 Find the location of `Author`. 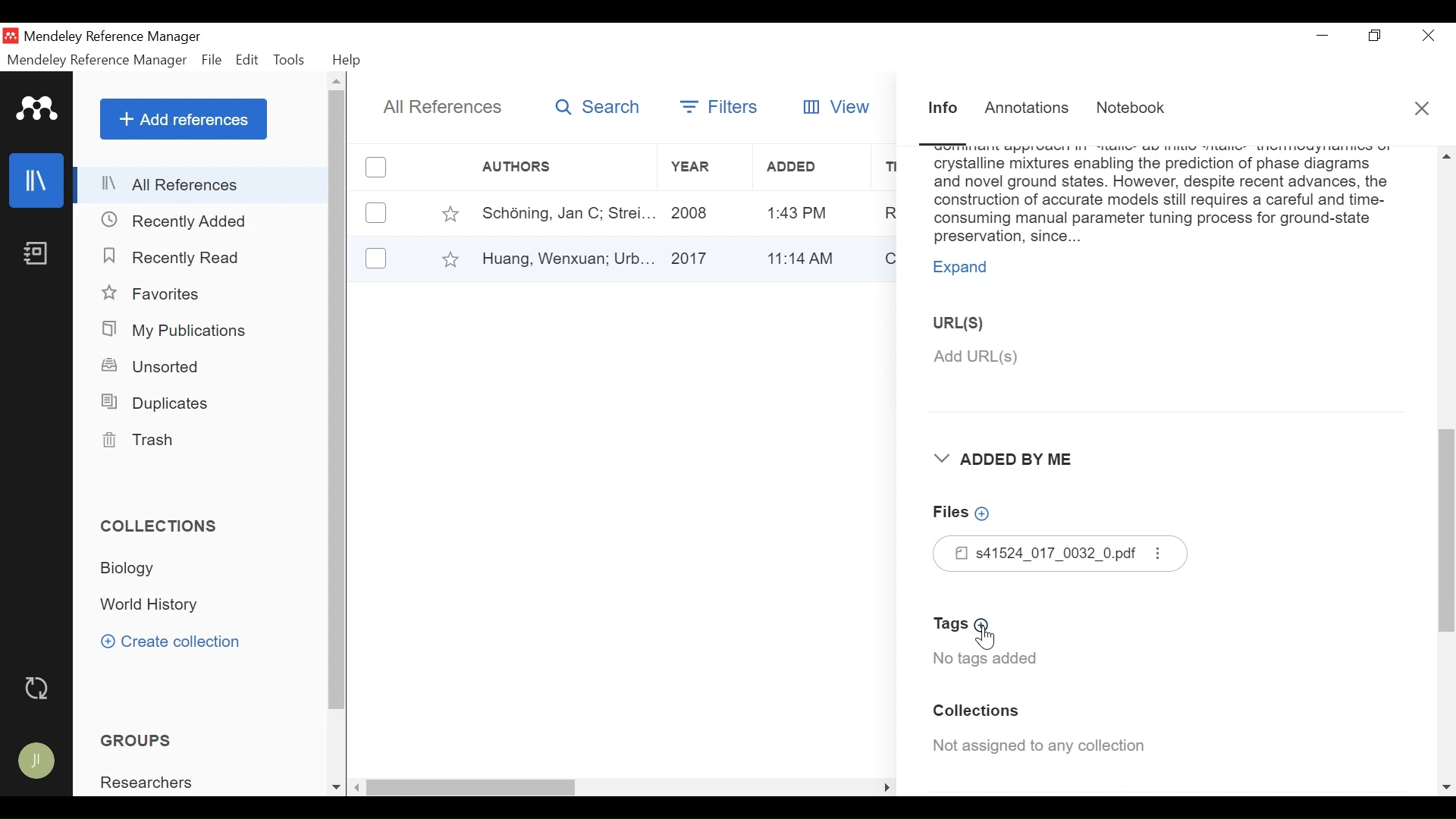

Author is located at coordinates (566, 257).